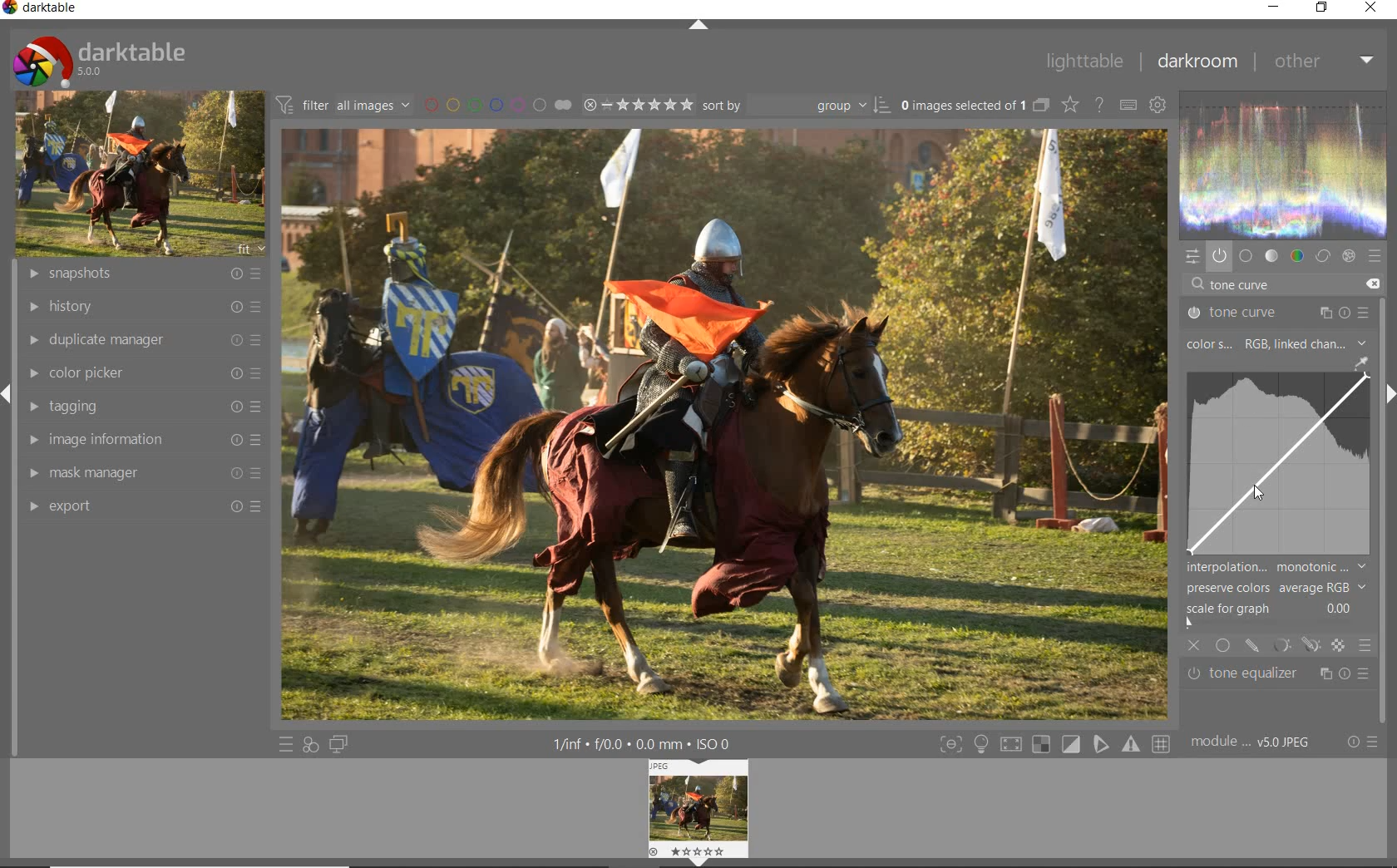 This screenshot has width=1397, height=868. I want to click on cursor, so click(1253, 499).